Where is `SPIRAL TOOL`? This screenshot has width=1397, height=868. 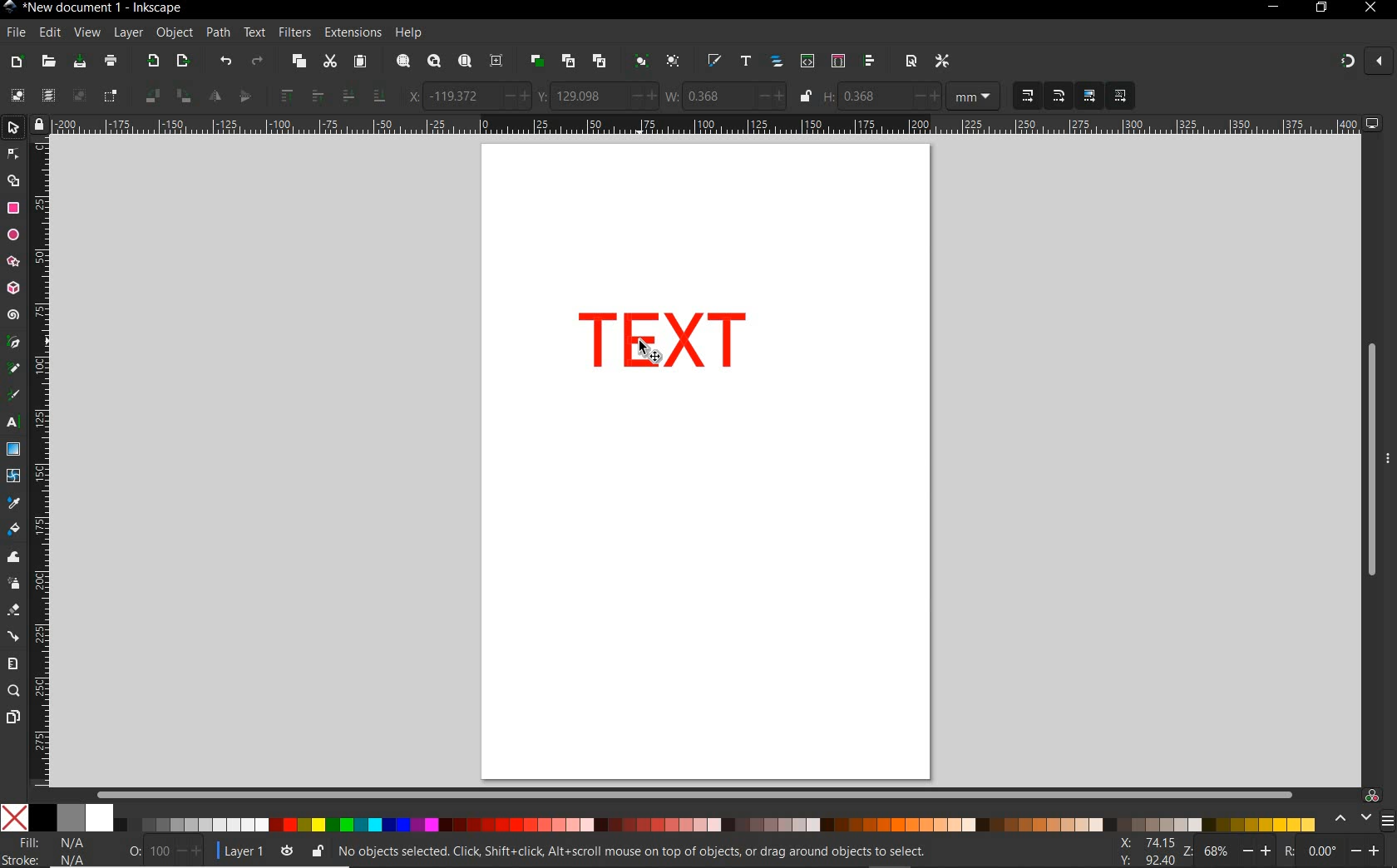
SPIRAL TOOL is located at coordinates (13, 316).